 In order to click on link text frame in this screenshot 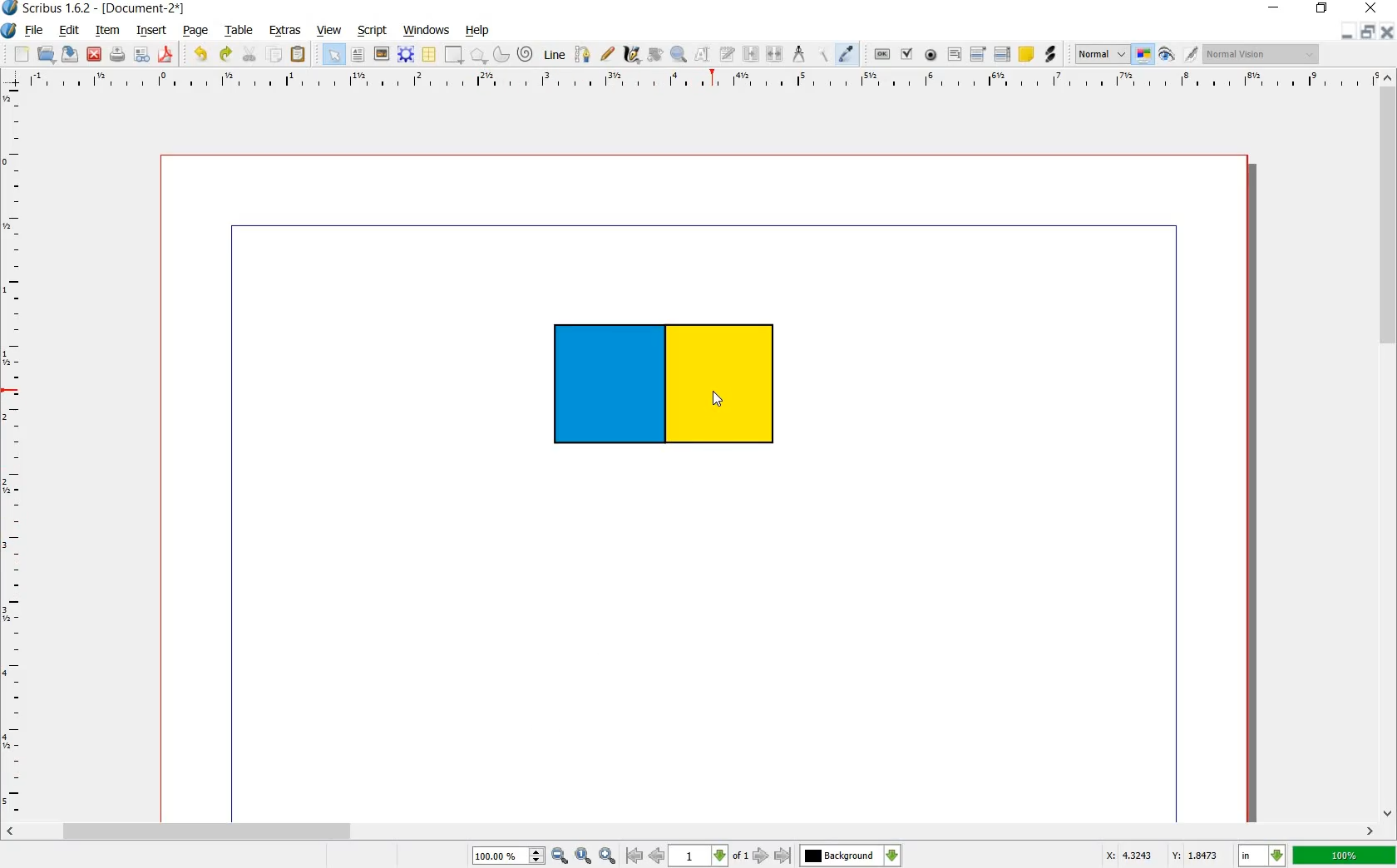, I will do `click(750, 55)`.